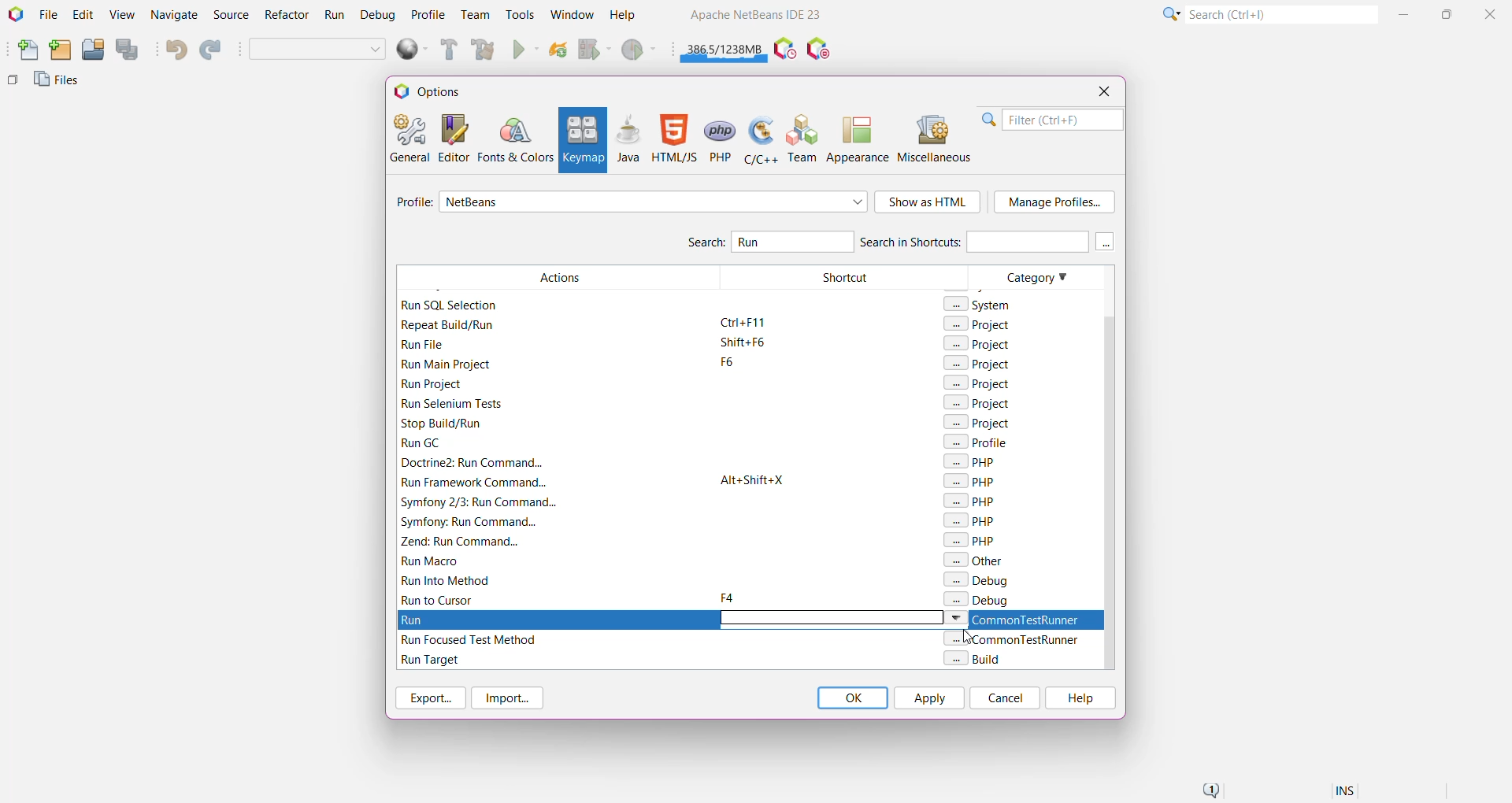  Describe the element at coordinates (175, 16) in the screenshot. I see `Navigate` at that location.